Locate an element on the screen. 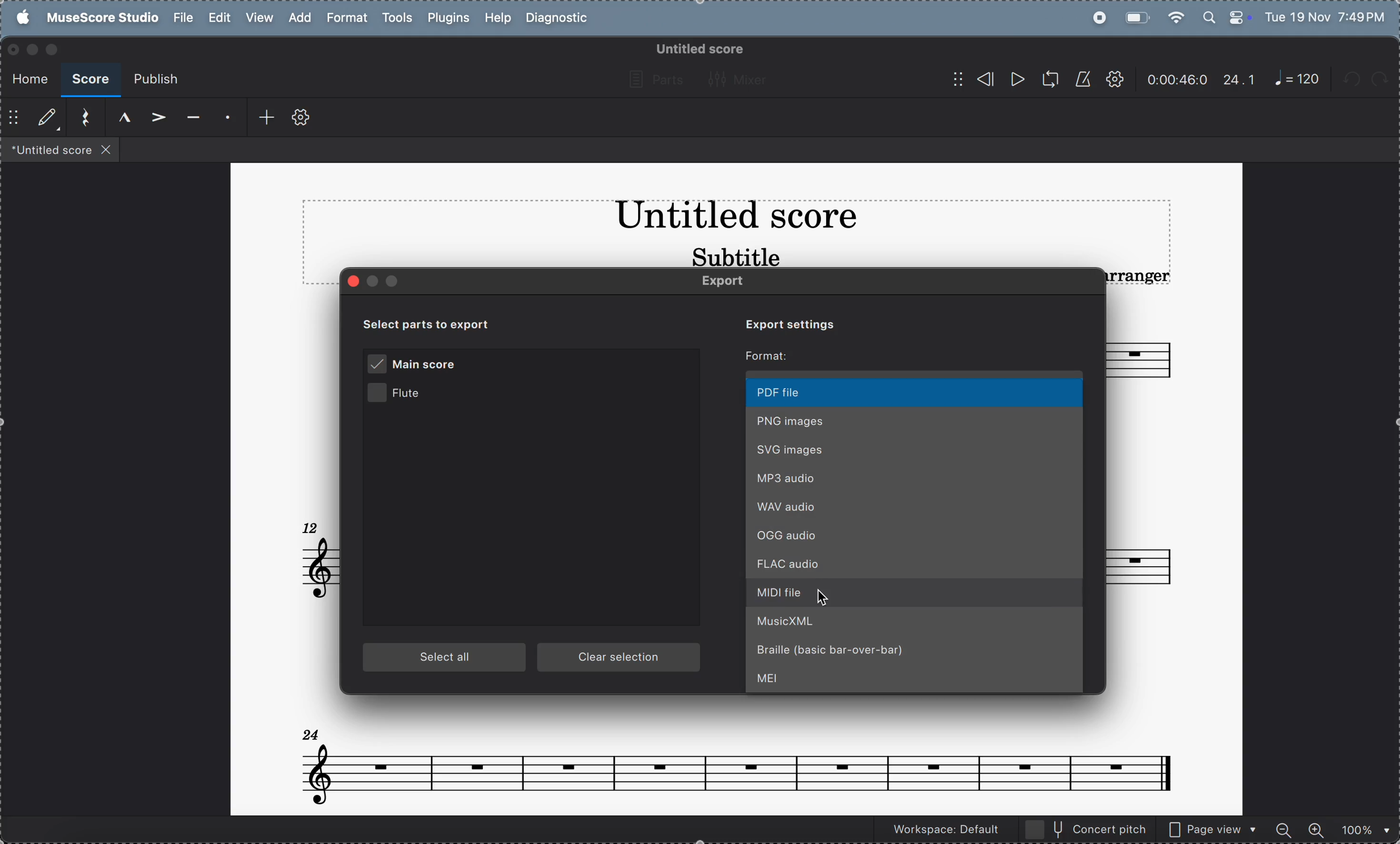 The width and height of the screenshot is (1400, 844). add is located at coordinates (298, 17).